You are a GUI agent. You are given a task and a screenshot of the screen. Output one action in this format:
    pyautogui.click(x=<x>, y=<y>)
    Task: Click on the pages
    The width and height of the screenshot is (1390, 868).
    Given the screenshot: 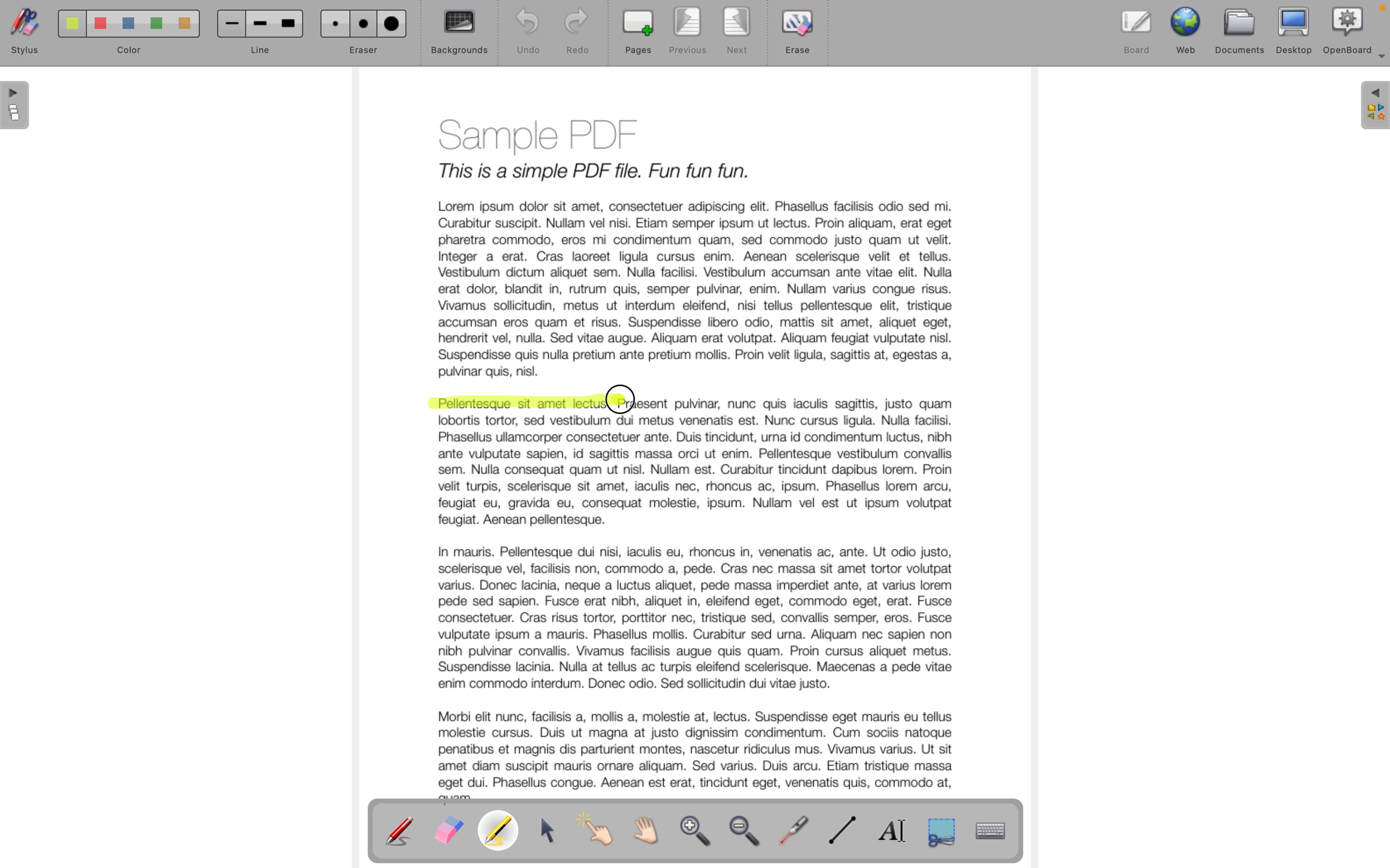 What is the action you would take?
    pyautogui.click(x=17, y=107)
    